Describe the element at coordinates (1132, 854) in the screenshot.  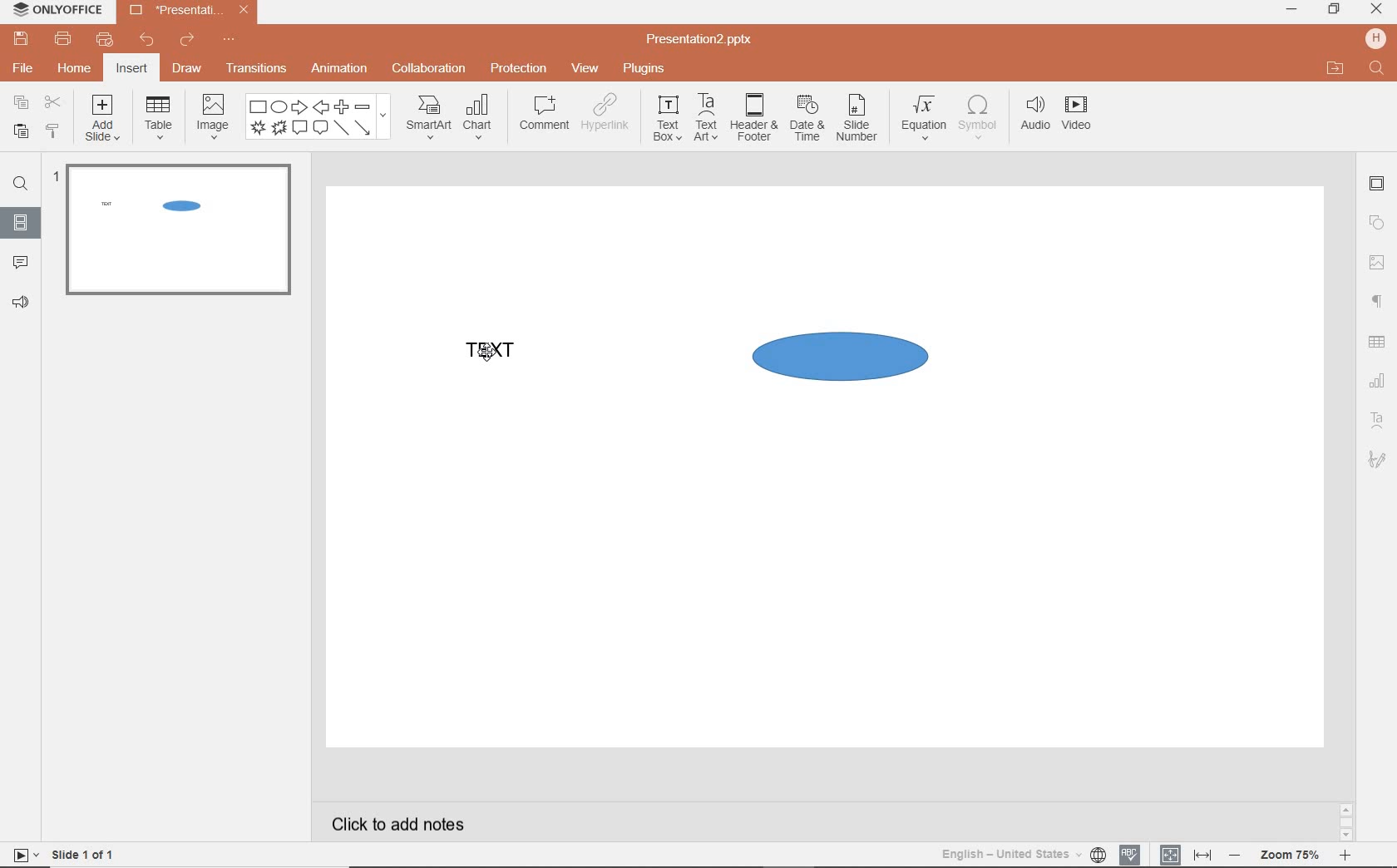
I see `SPELL CHECKING` at that location.